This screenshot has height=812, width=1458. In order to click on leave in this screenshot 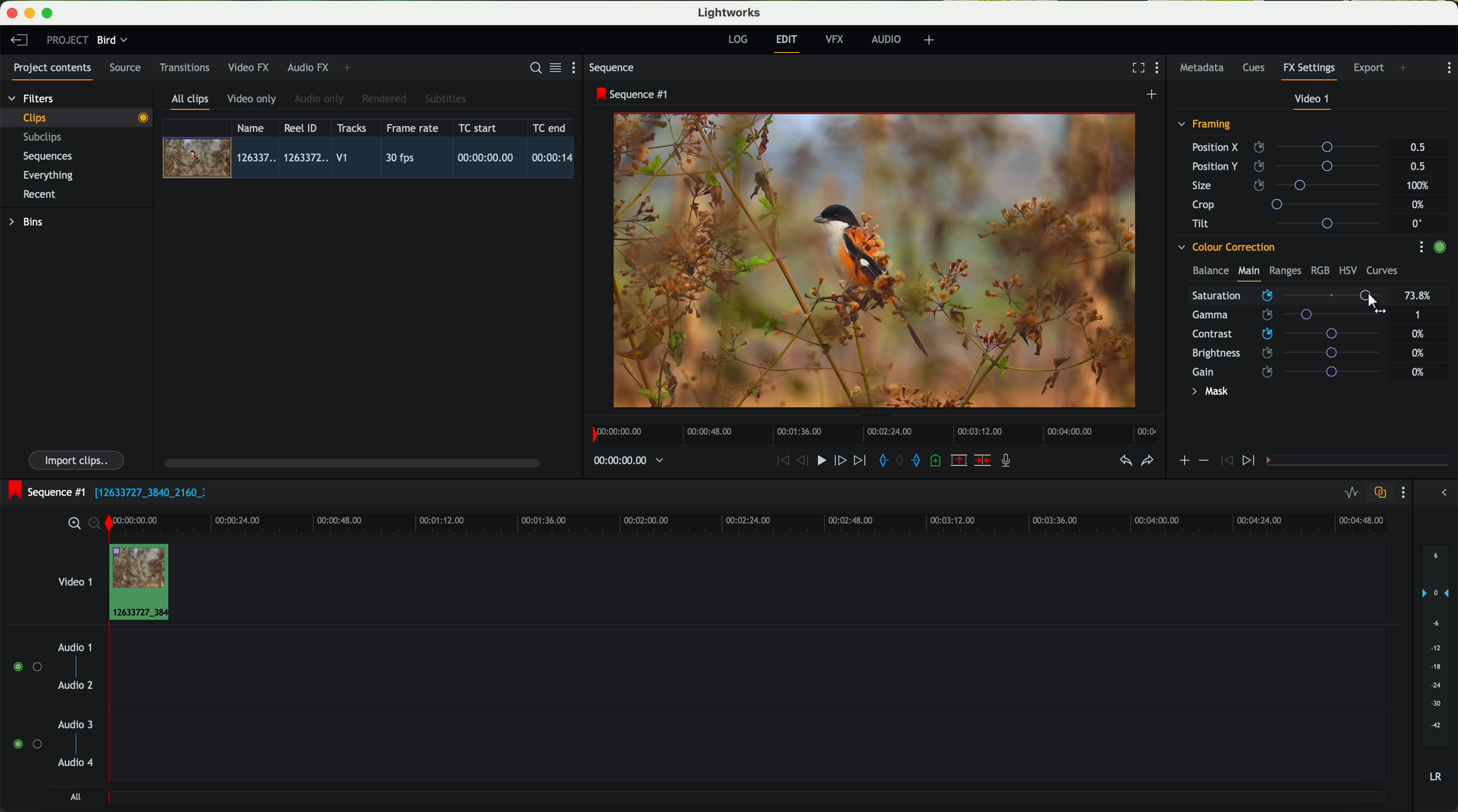, I will do `click(19, 41)`.